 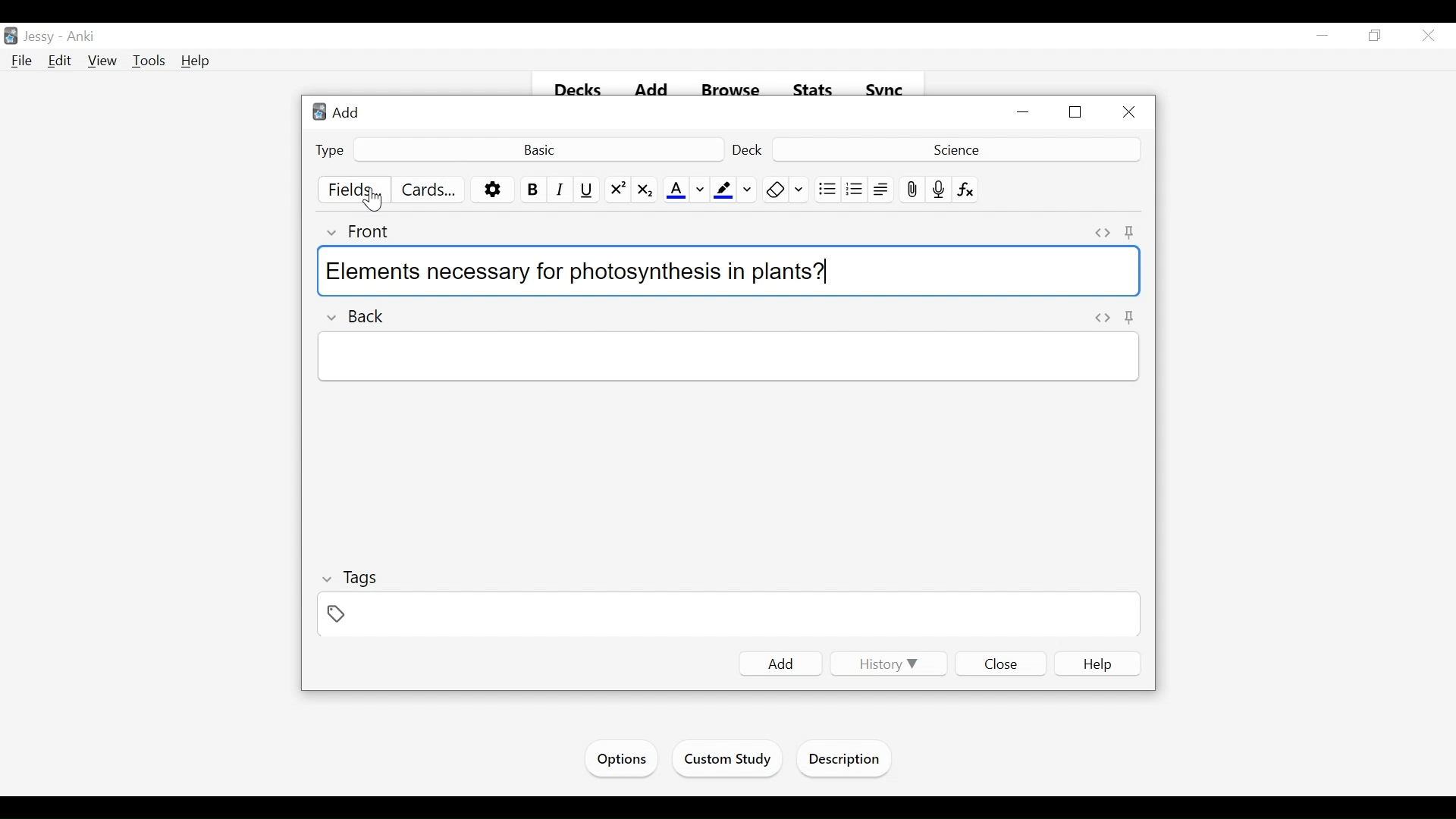 What do you see at coordinates (733, 91) in the screenshot?
I see `Browse` at bounding box center [733, 91].